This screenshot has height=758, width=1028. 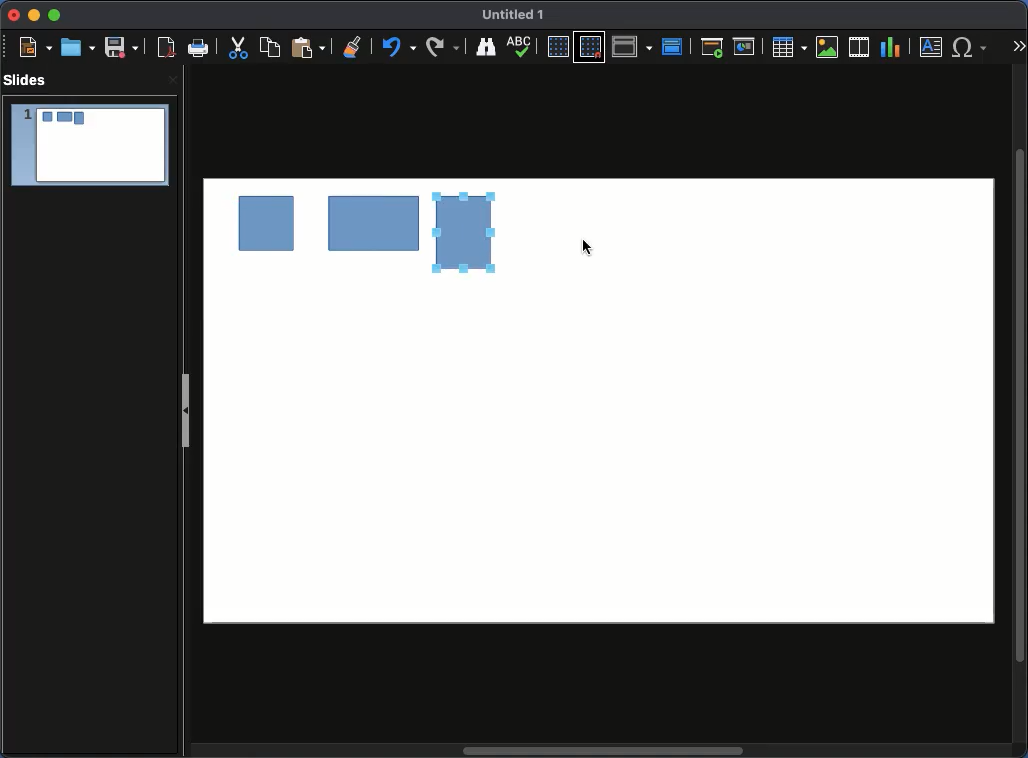 I want to click on Characters, so click(x=972, y=47).